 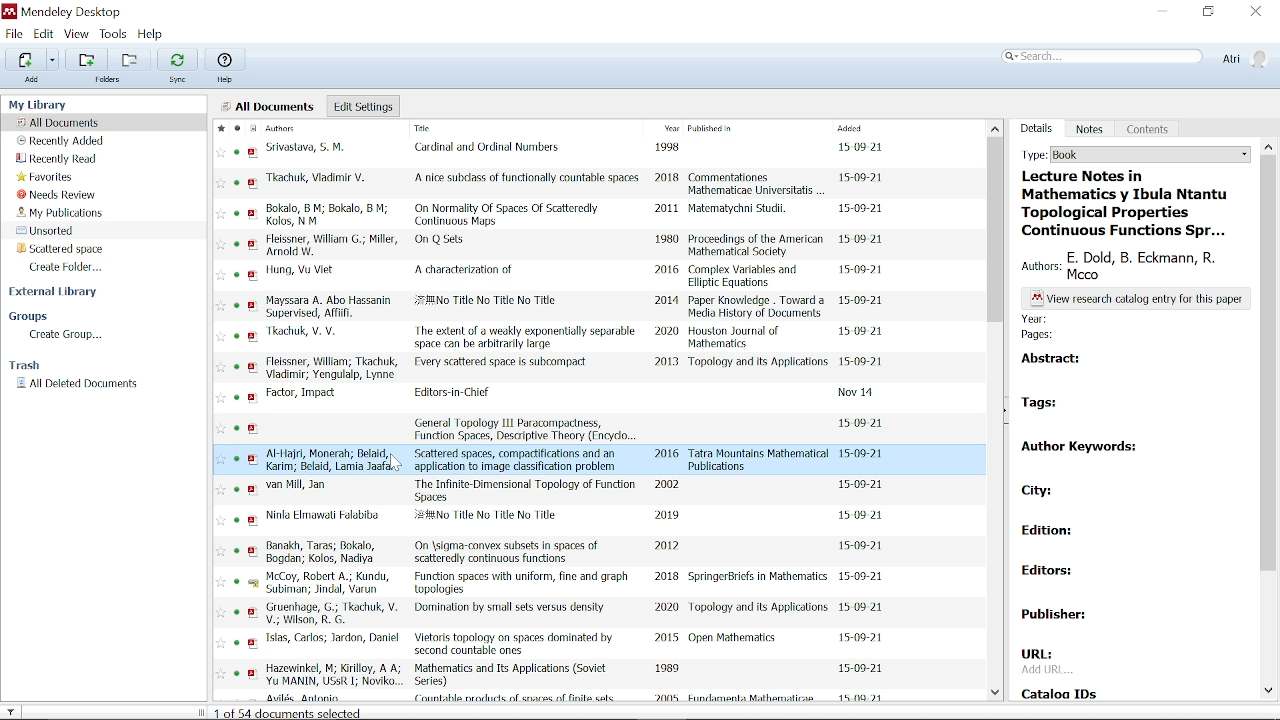 What do you see at coordinates (863, 666) in the screenshot?
I see `Date` at bounding box center [863, 666].